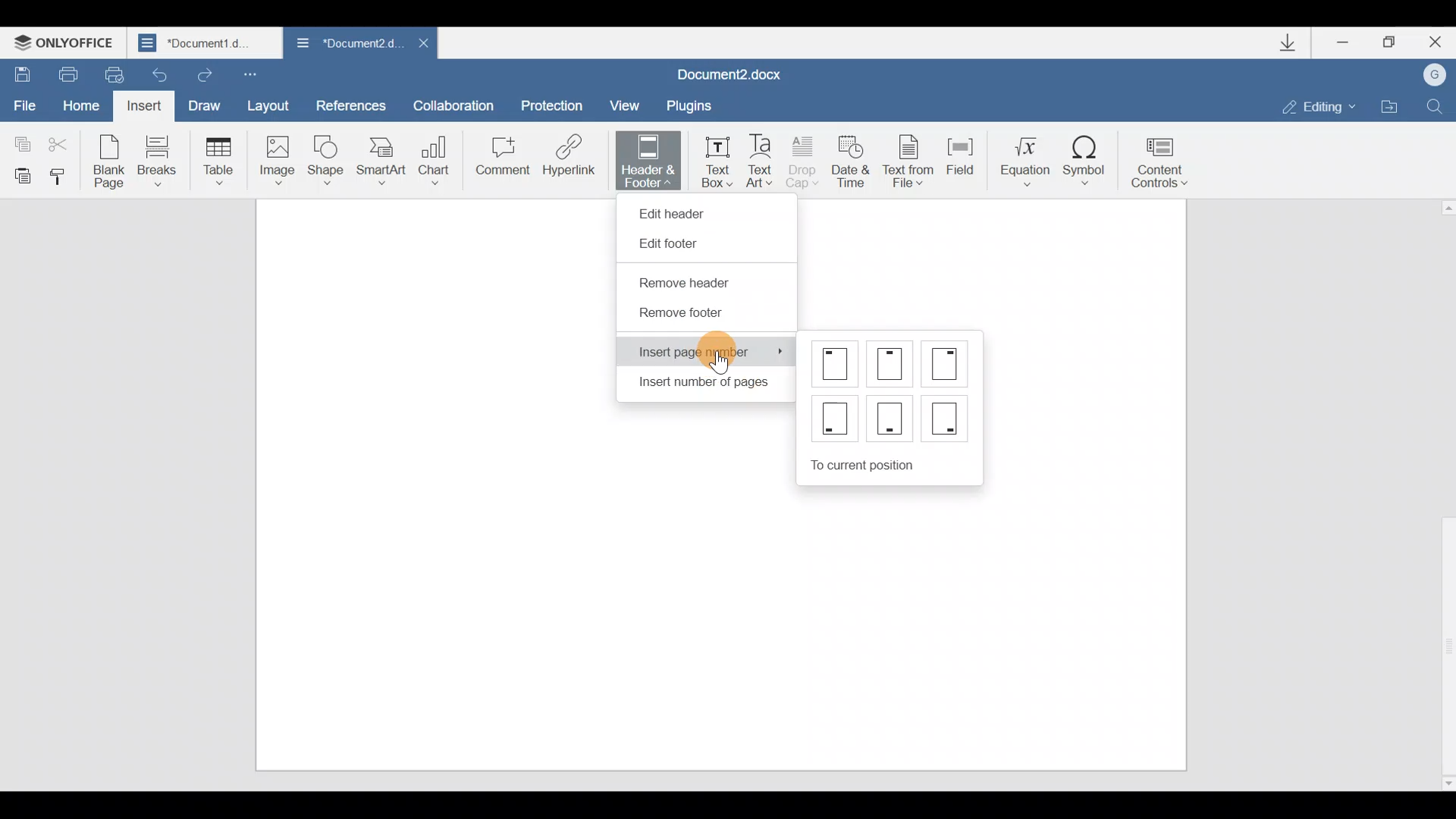 This screenshot has height=819, width=1456. What do you see at coordinates (1387, 40) in the screenshot?
I see `Maximize` at bounding box center [1387, 40].